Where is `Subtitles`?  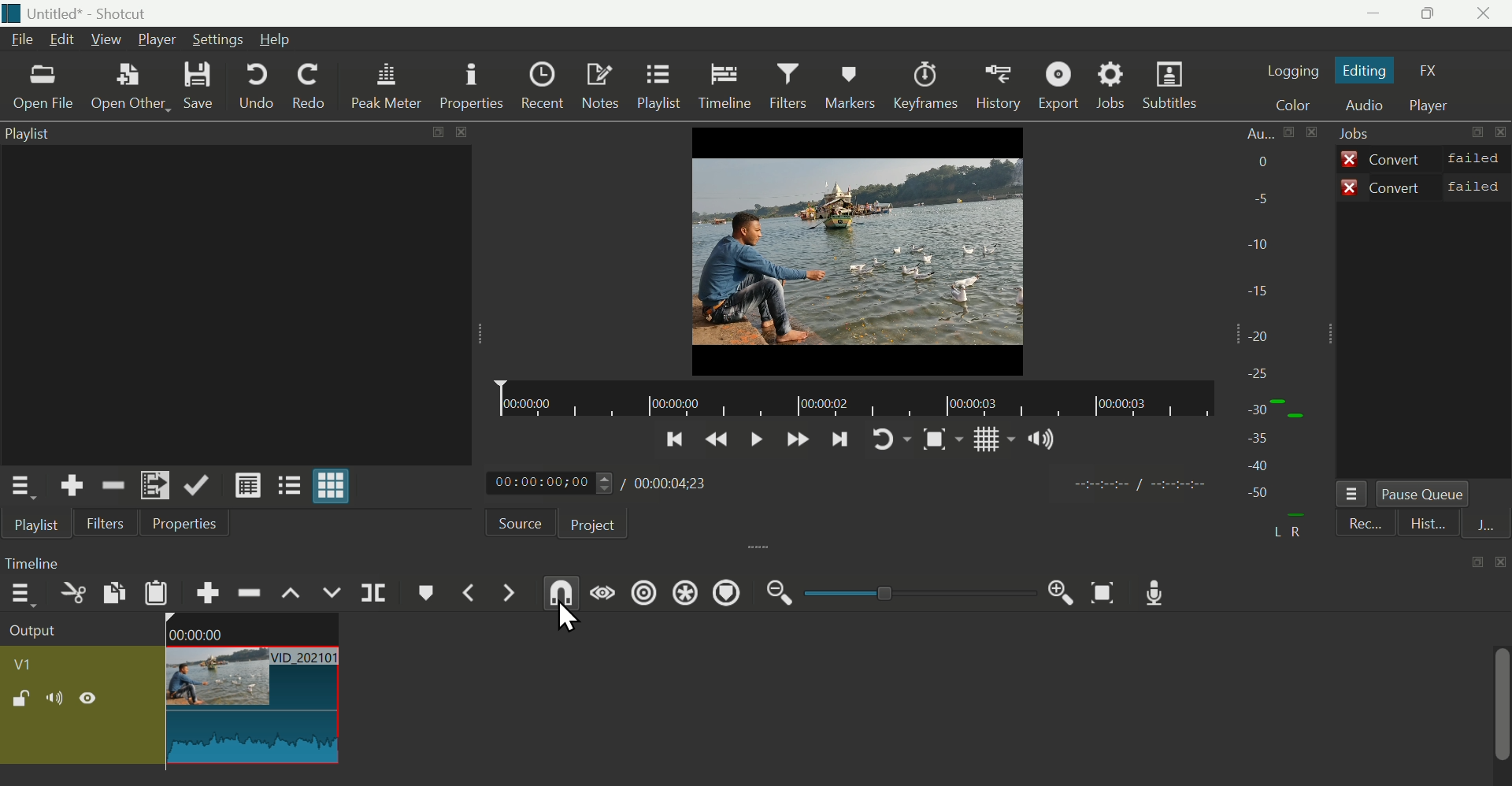
Subtitles is located at coordinates (1174, 83).